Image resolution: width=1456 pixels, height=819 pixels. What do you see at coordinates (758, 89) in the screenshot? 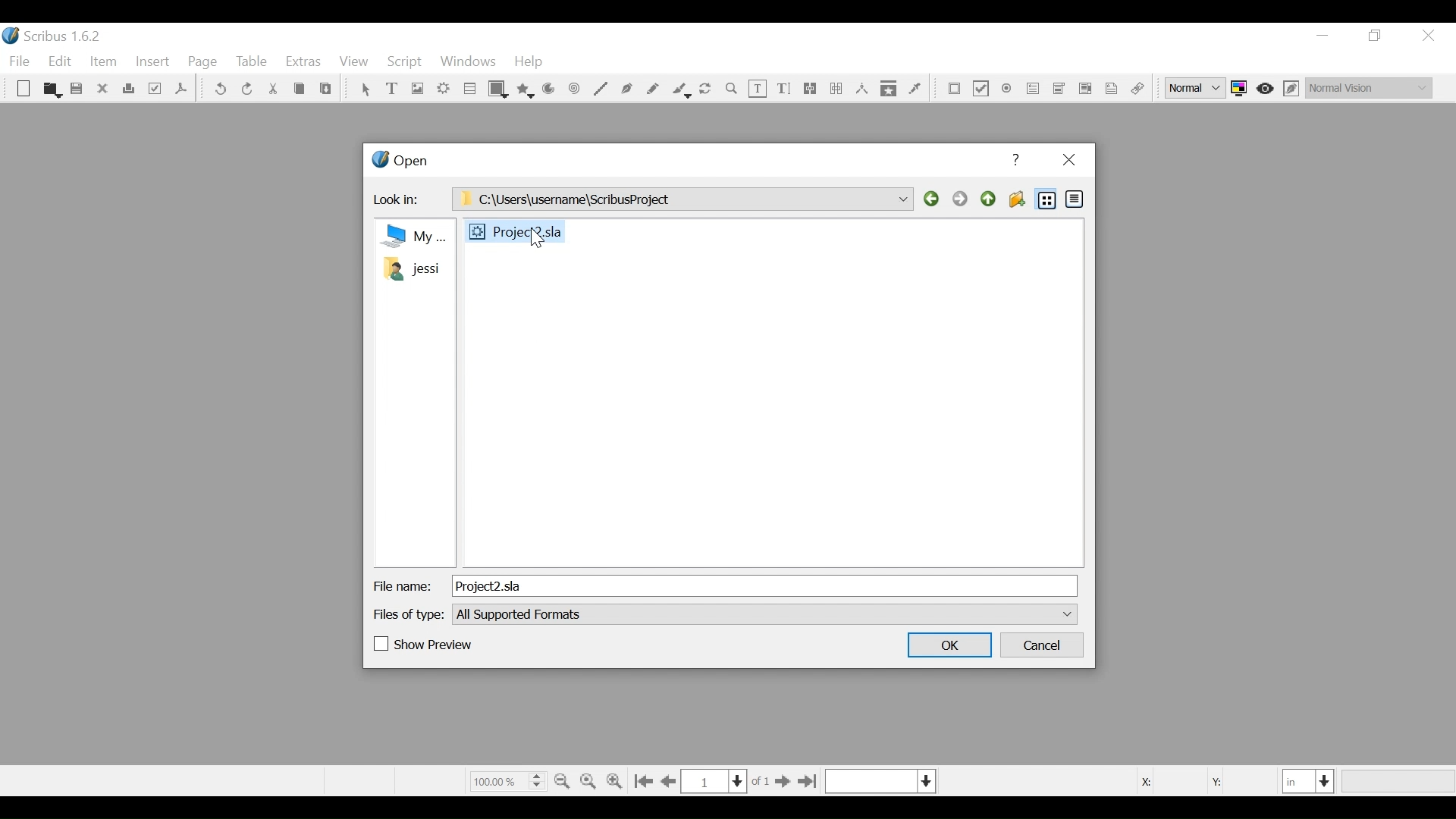
I see `Edit Text Content` at bounding box center [758, 89].